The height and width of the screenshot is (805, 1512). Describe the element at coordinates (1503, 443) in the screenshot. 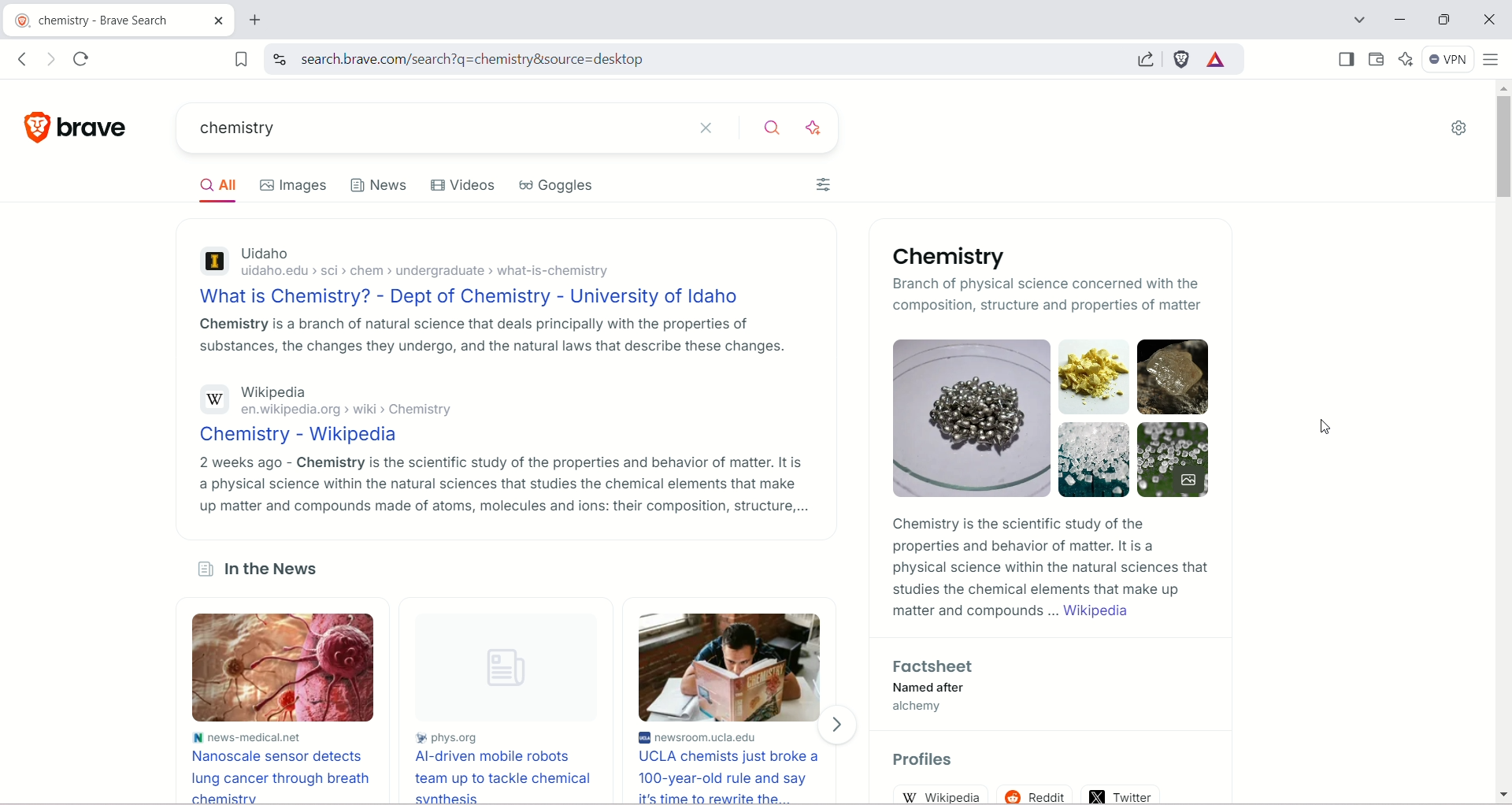

I see `vertical scroll bar` at that location.